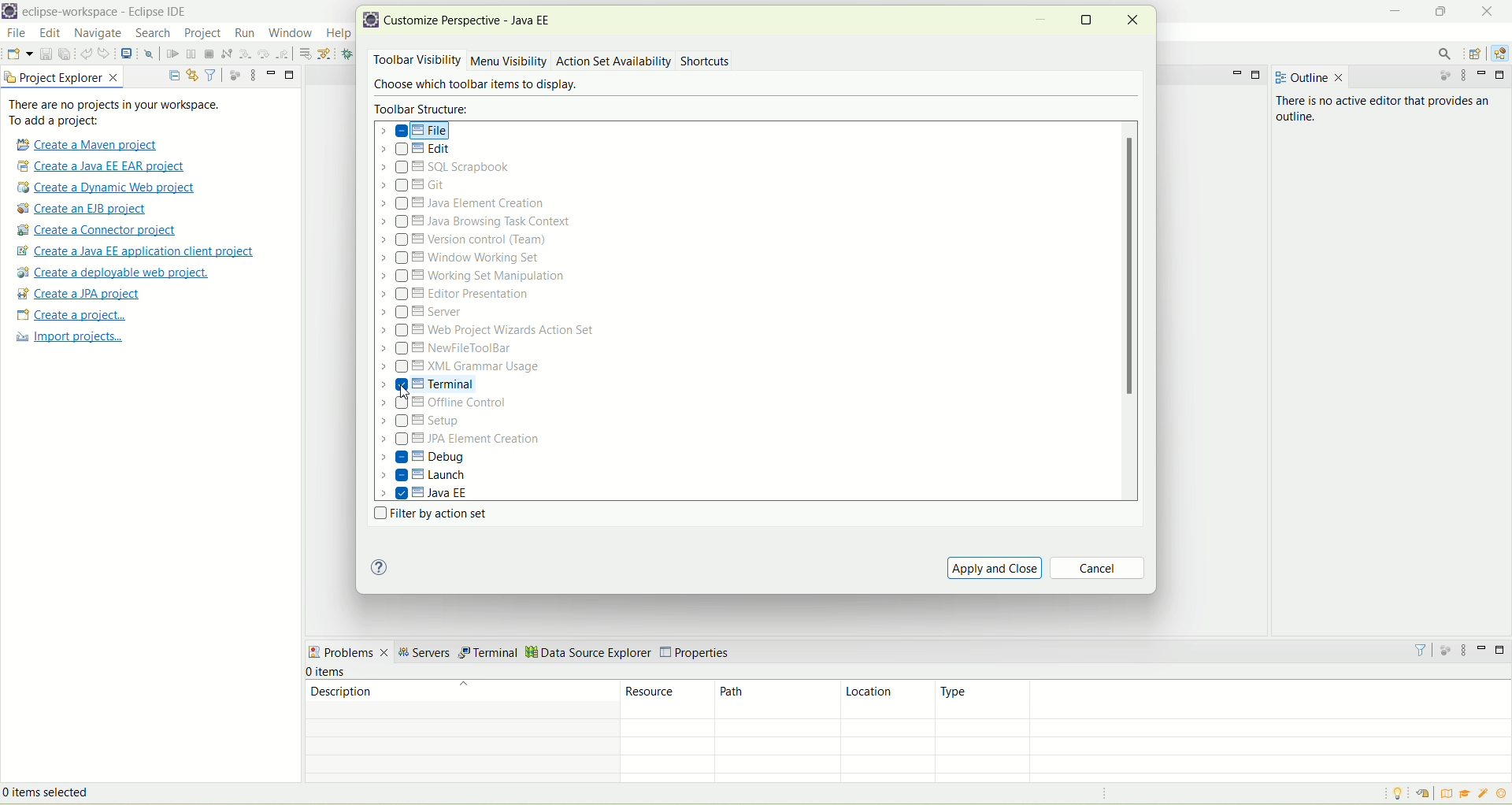 The width and height of the screenshot is (1512, 805). Describe the element at coordinates (995, 567) in the screenshot. I see `apply and close` at that location.